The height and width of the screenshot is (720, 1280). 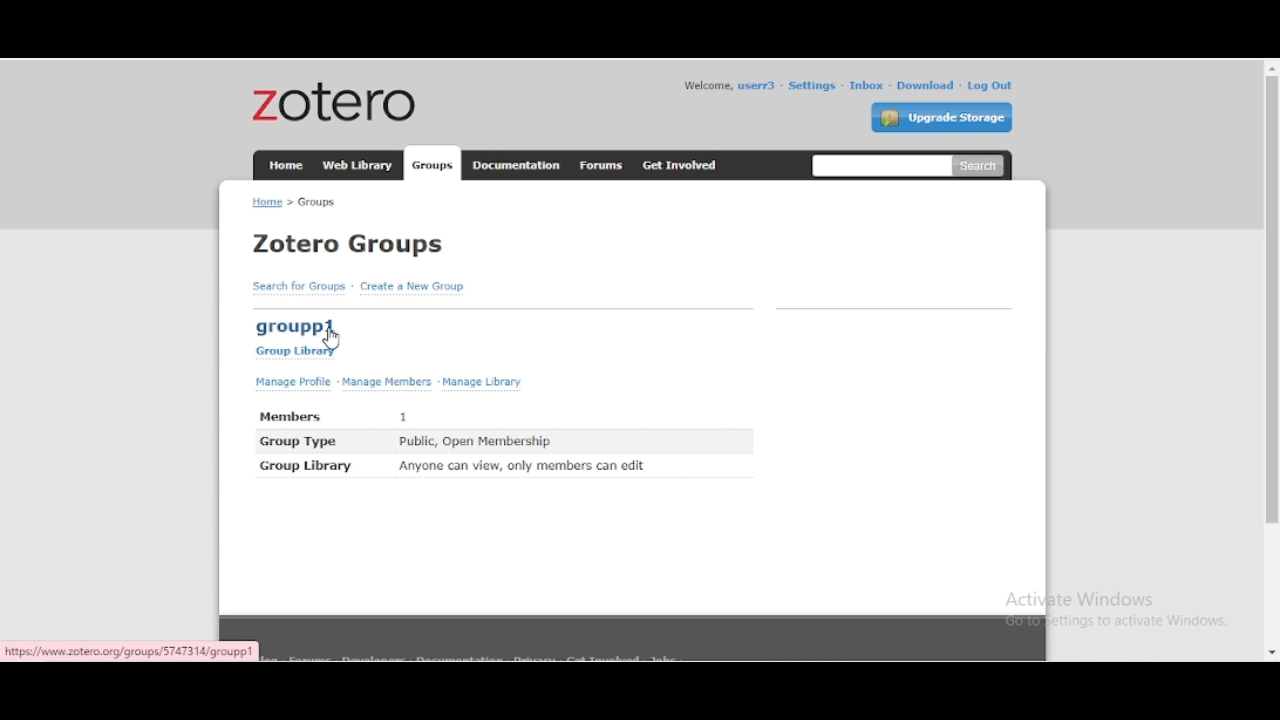 I want to click on link, so click(x=130, y=651).